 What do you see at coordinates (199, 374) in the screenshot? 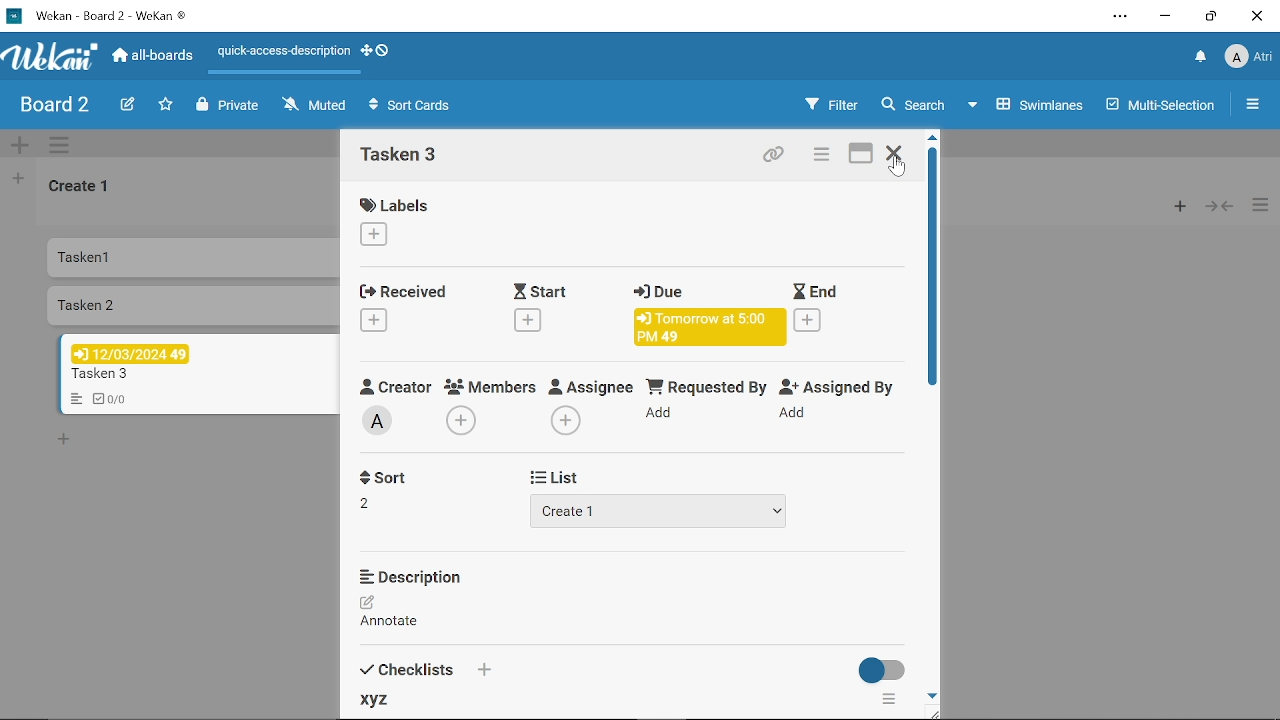
I see `Tasken3` at bounding box center [199, 374].